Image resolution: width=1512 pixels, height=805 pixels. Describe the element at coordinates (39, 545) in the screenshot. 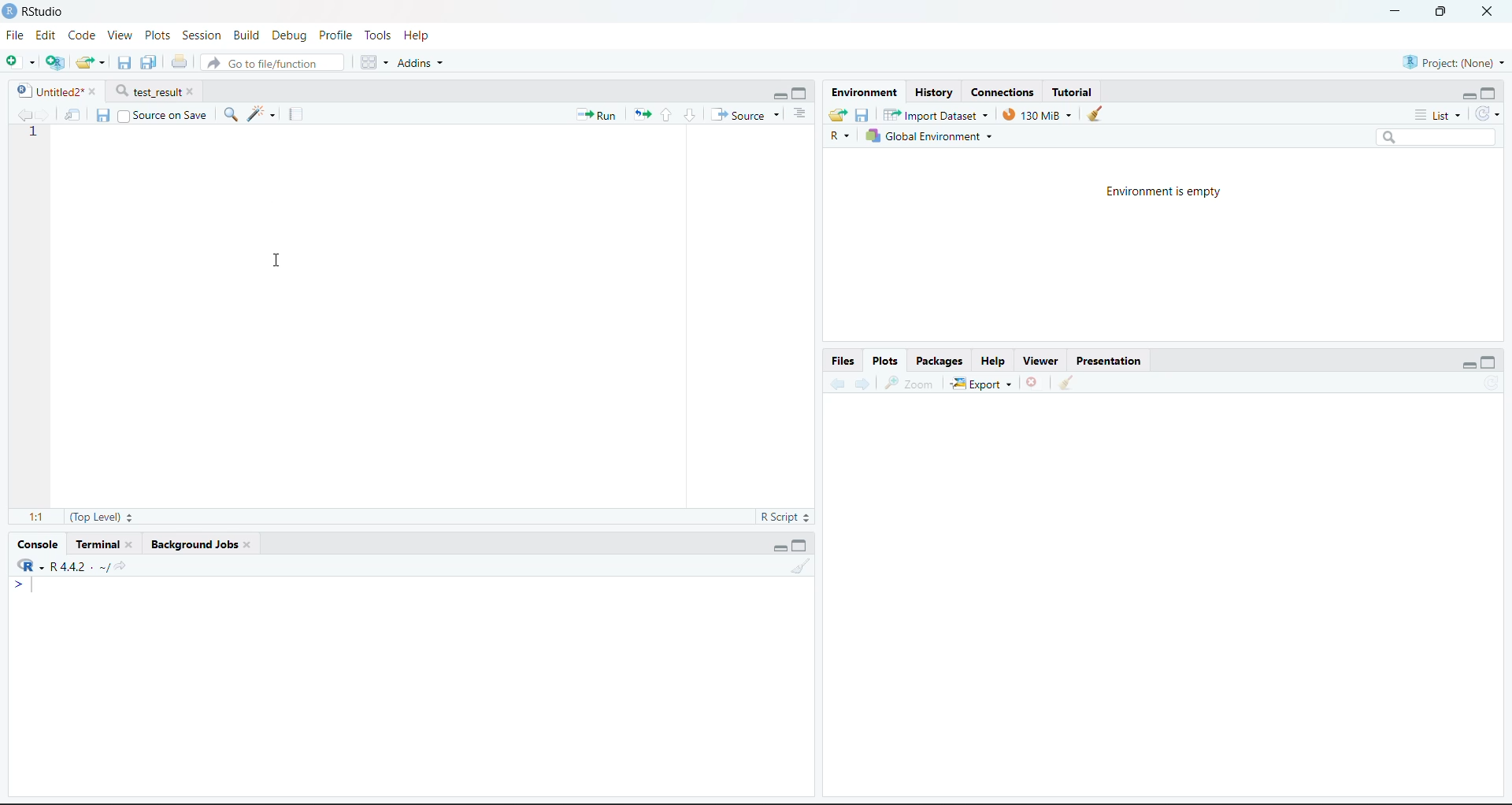

I see `Console` at that location.